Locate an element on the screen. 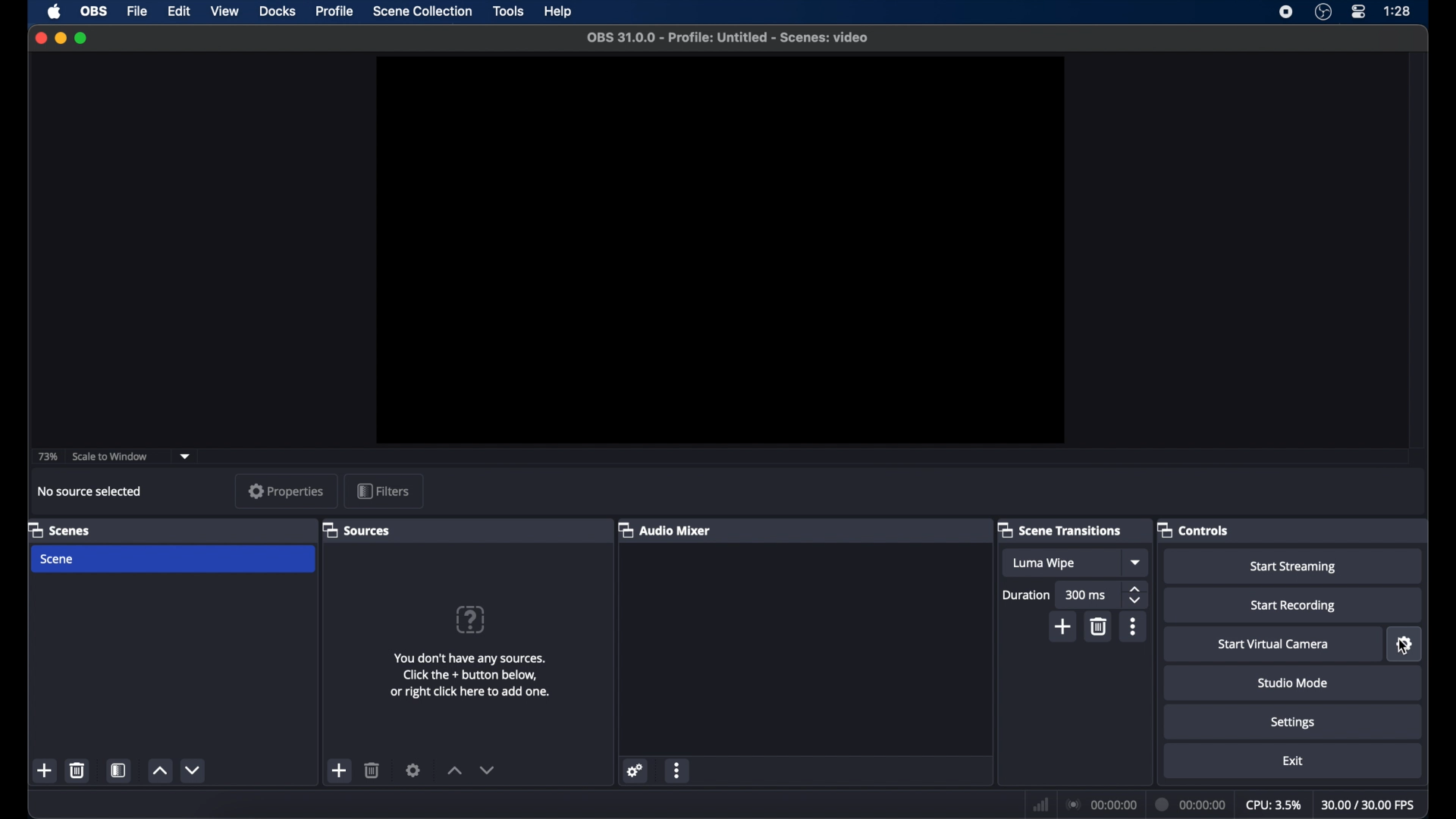 The width and height of the screenshot is (1456, 819). settings is located at coordinates (635, 771).